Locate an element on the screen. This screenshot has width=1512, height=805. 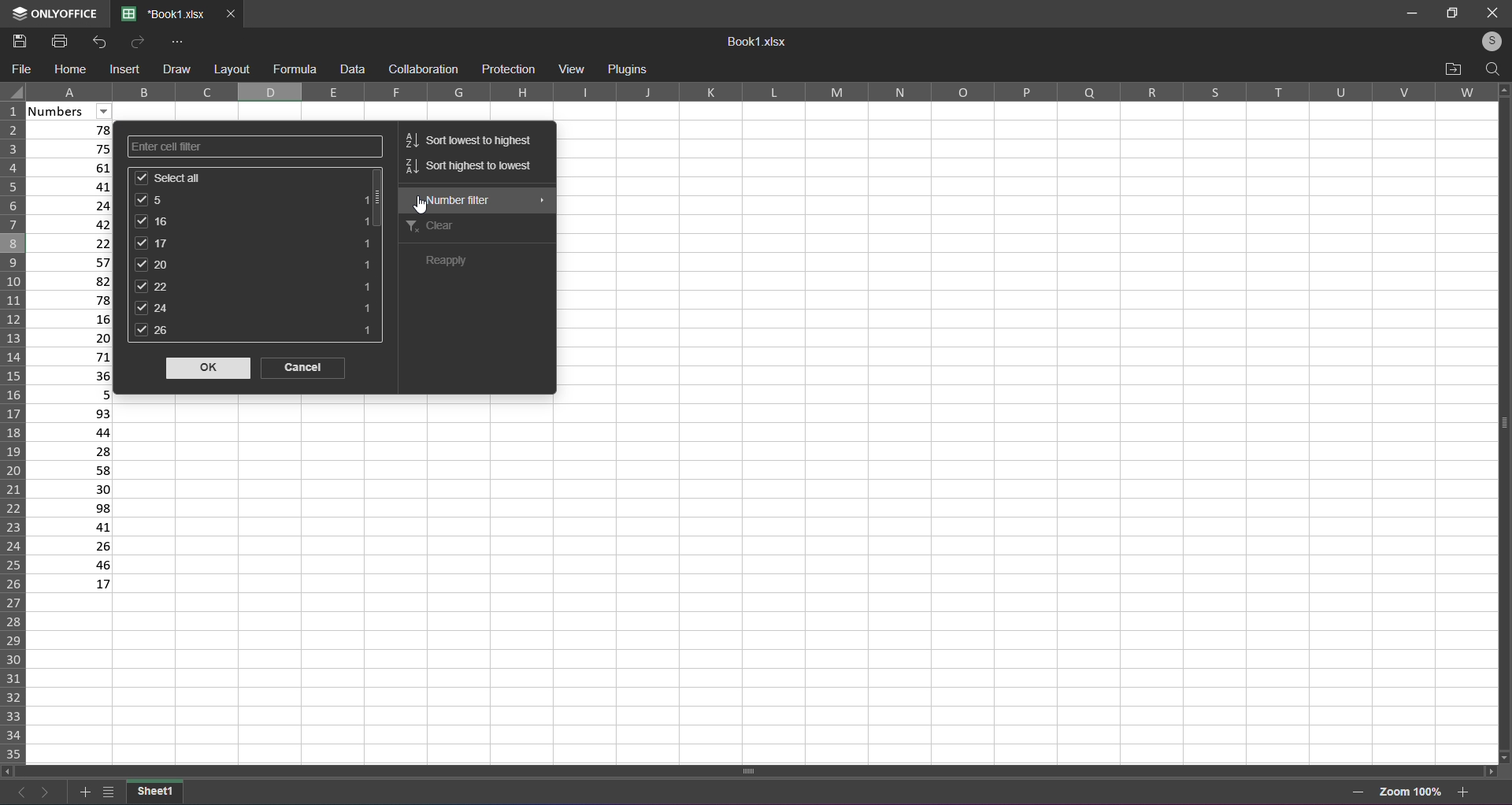
horizontal scroll bar is located at coordinates (754, 769).